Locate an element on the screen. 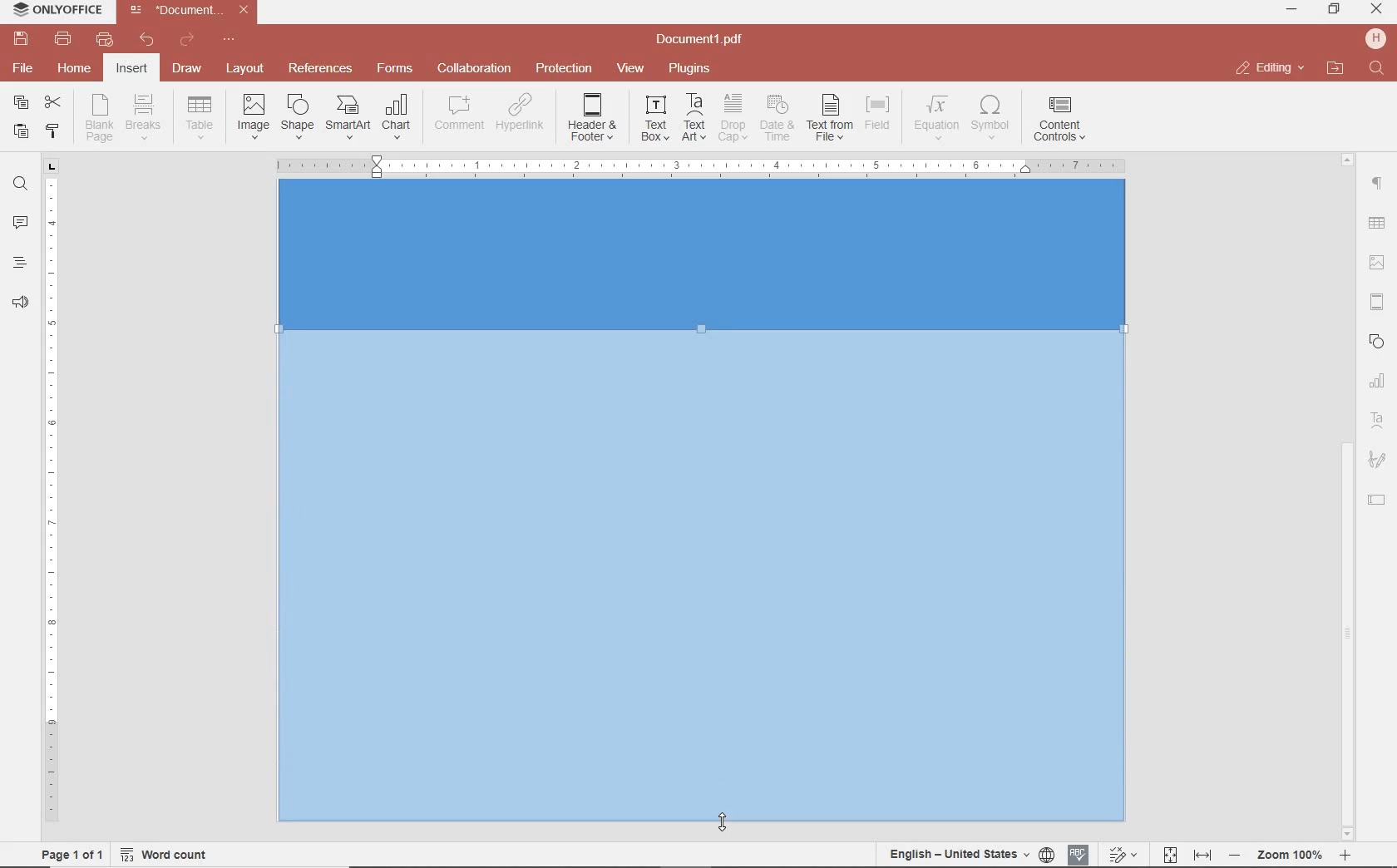  close is located at coordinates (1269, 68).